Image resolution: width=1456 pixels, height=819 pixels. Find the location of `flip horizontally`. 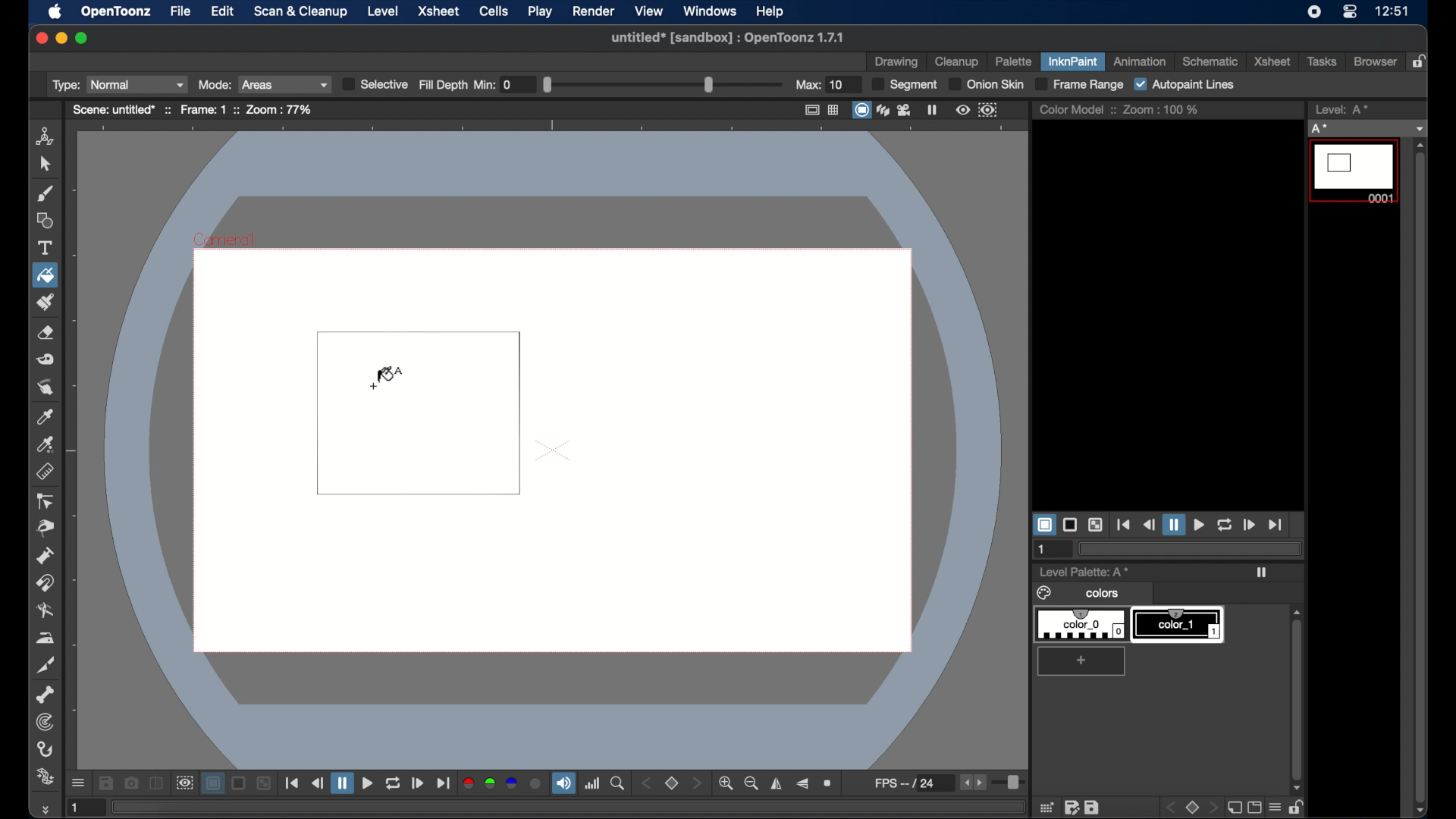

flip horizontally is located at coordinates (777, 783).